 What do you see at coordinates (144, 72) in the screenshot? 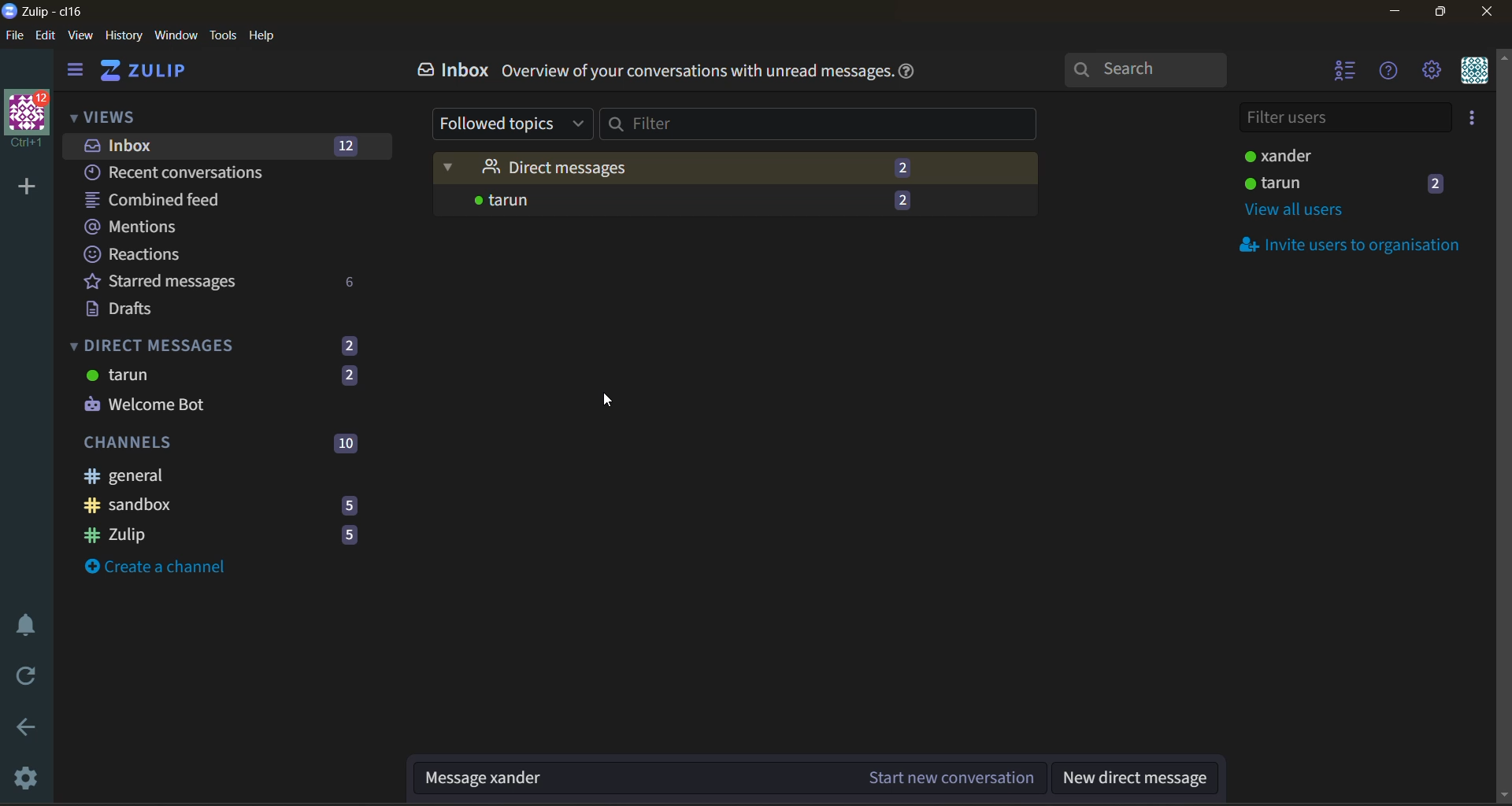
I see `ZULIP (home)` at bounding box center [144, 72].